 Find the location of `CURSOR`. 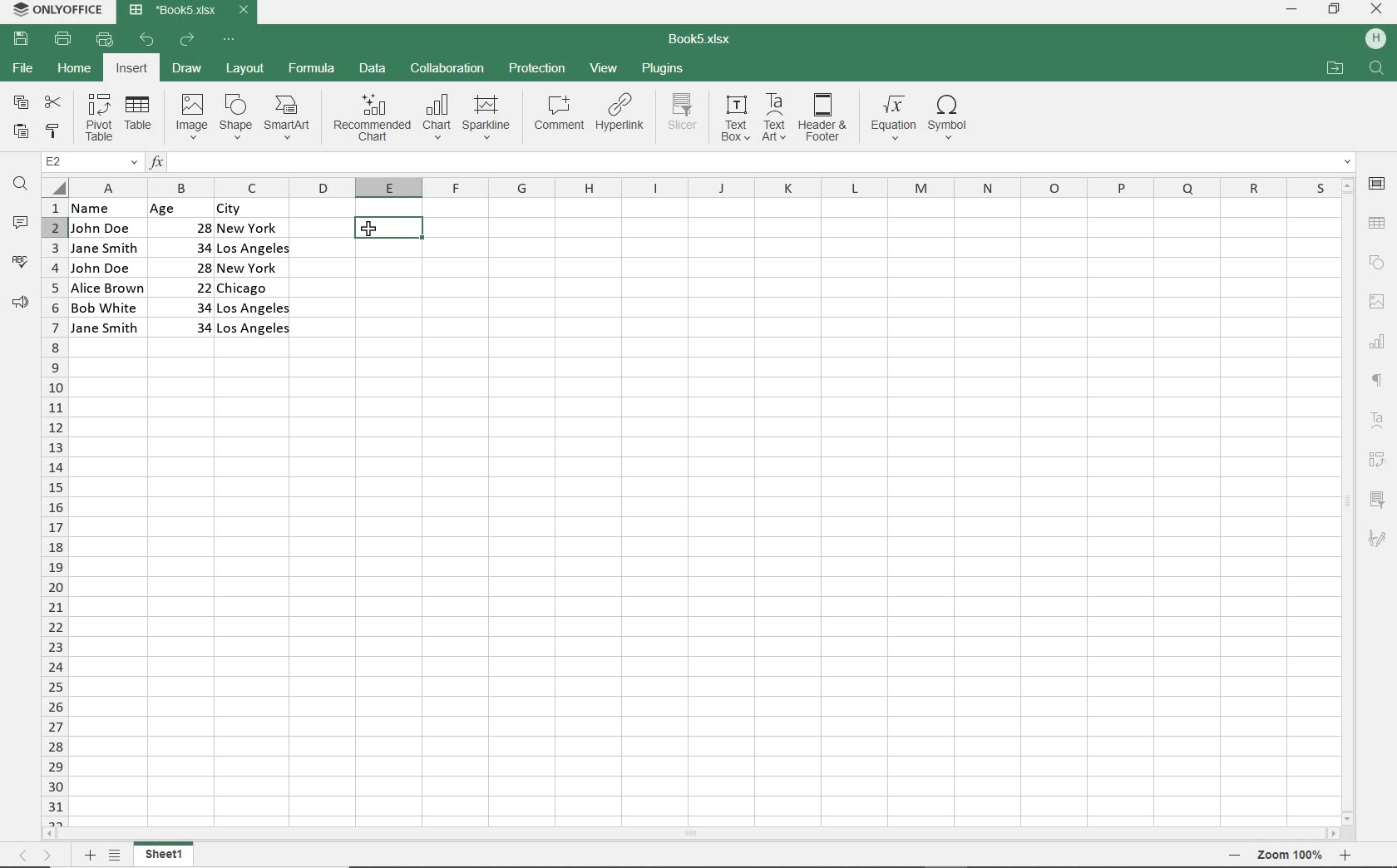

CURSOR is located at coordinates (368, 230).